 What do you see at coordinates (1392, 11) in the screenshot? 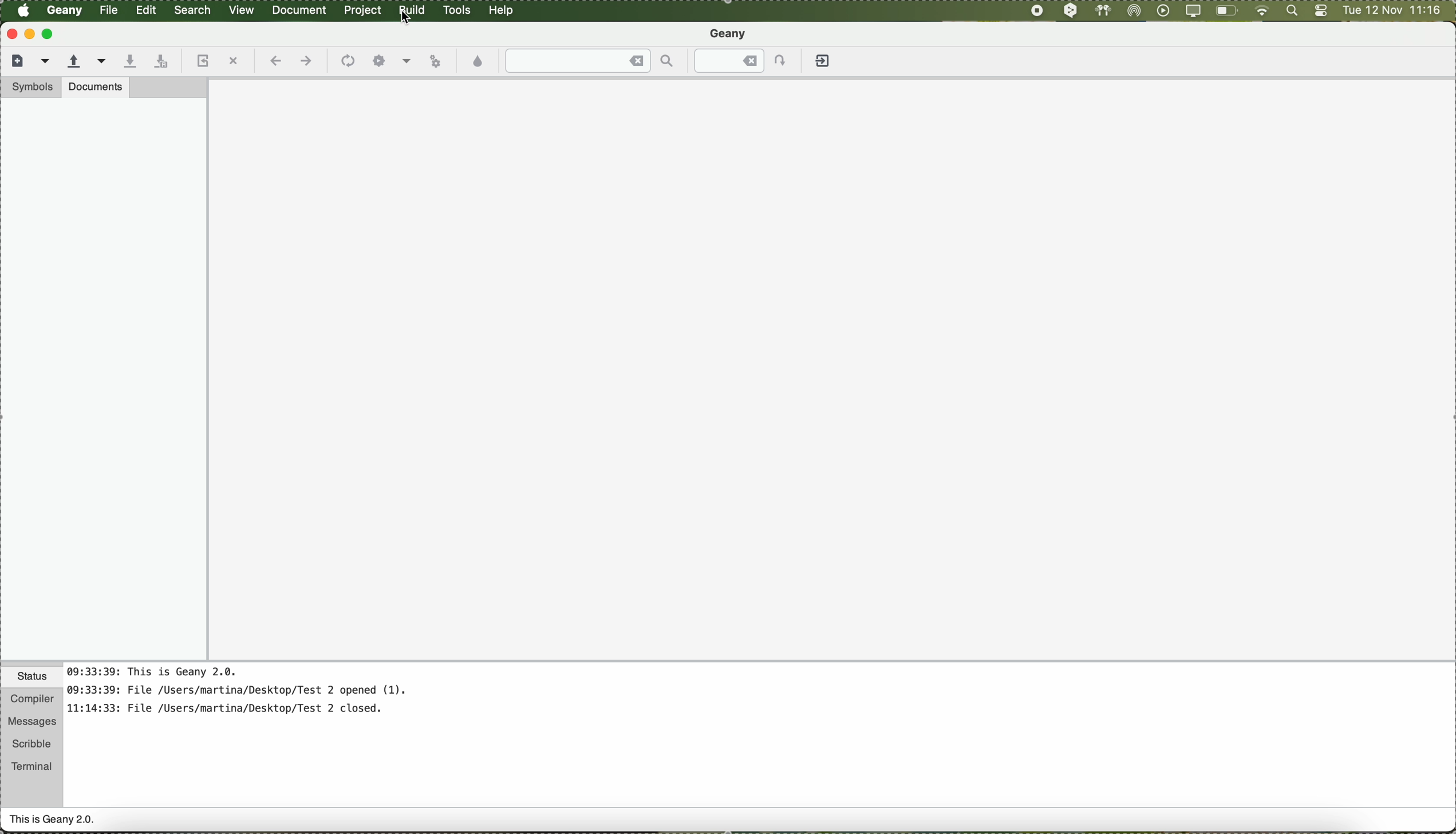
I see `date and hour` at bounding box center [1392, 11].